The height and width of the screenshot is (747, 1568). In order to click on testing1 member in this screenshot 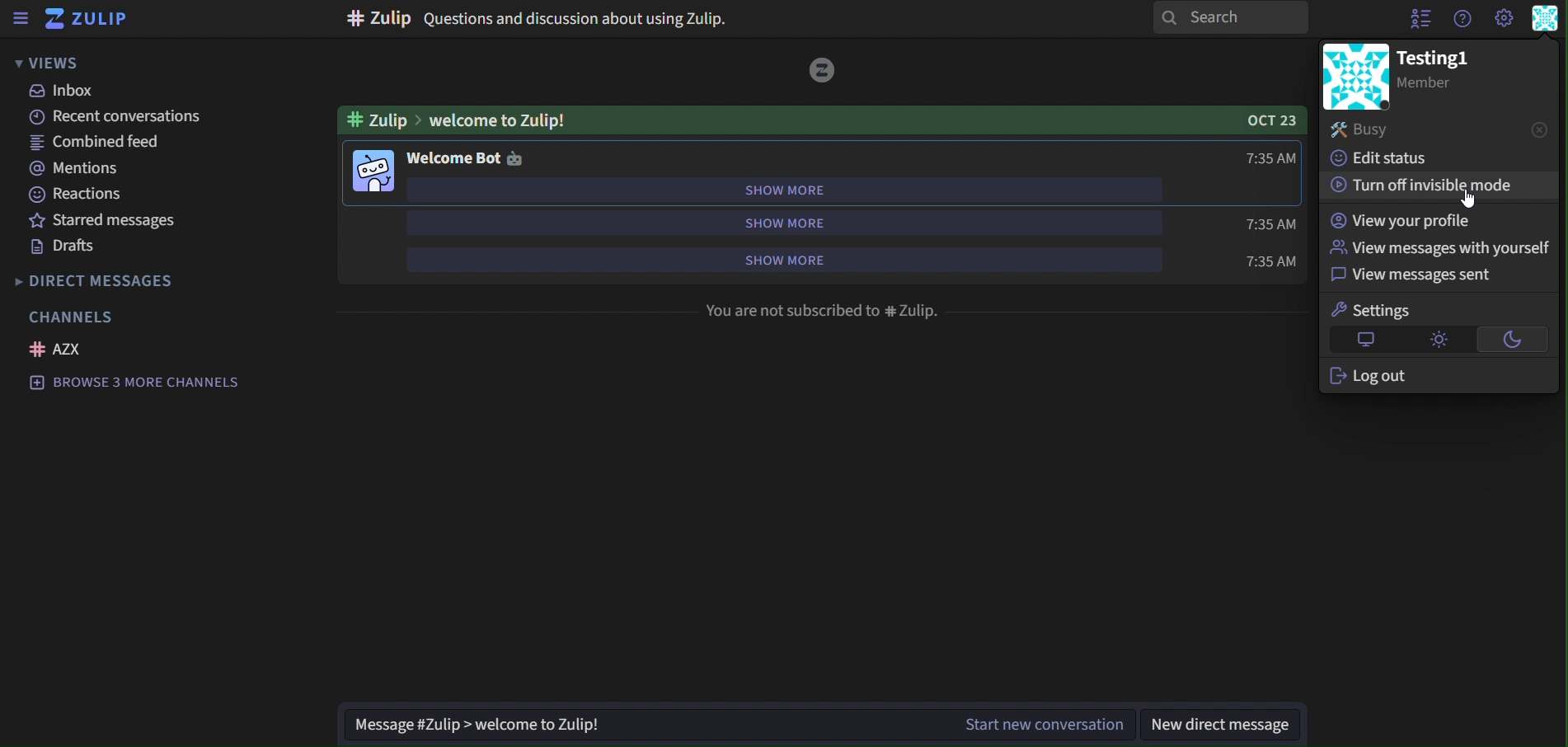, I will do `click(1439, 68)`.